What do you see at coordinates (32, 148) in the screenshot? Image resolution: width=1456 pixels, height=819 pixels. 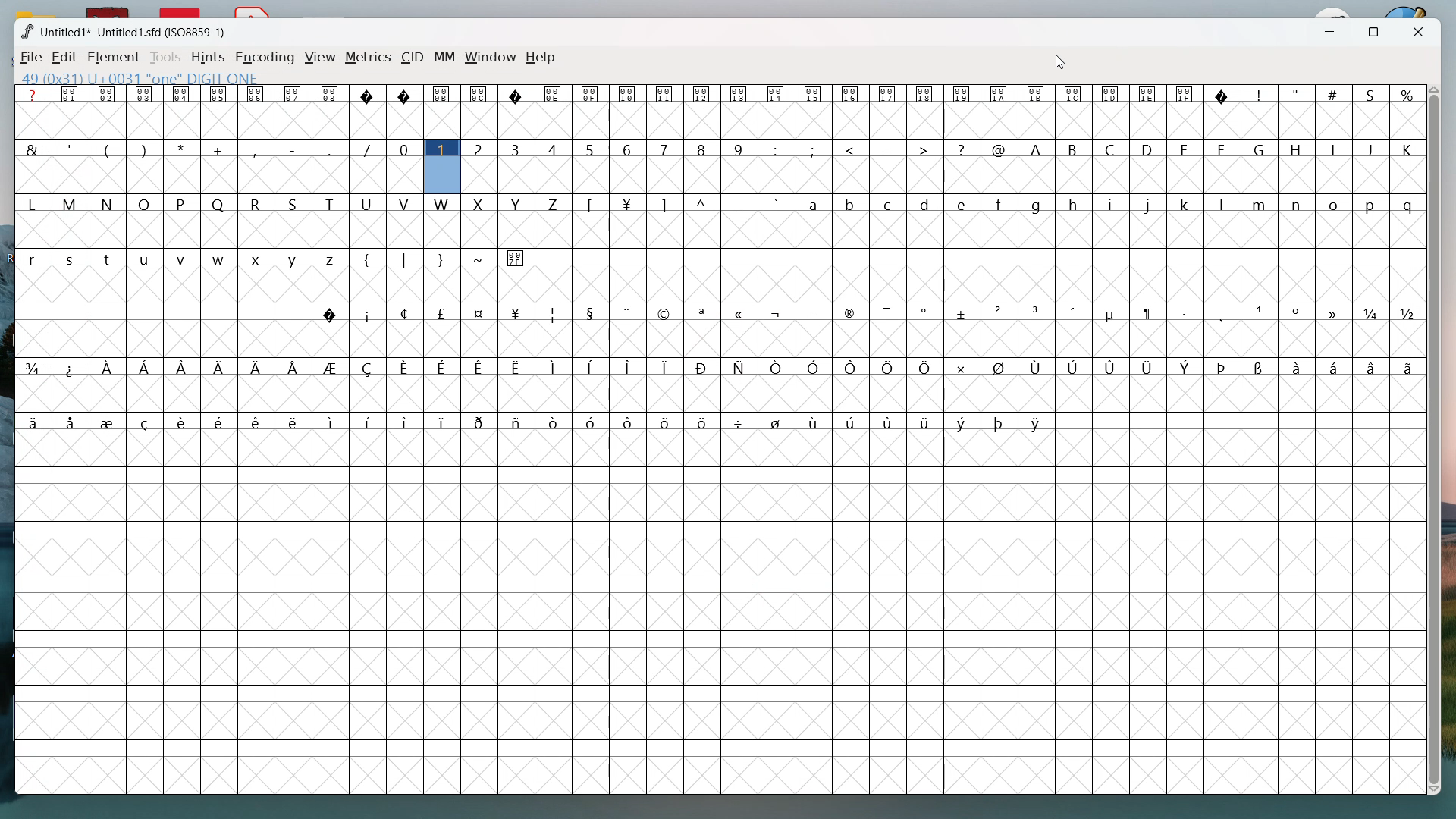 I see `&` at bounding box center [32, 148].